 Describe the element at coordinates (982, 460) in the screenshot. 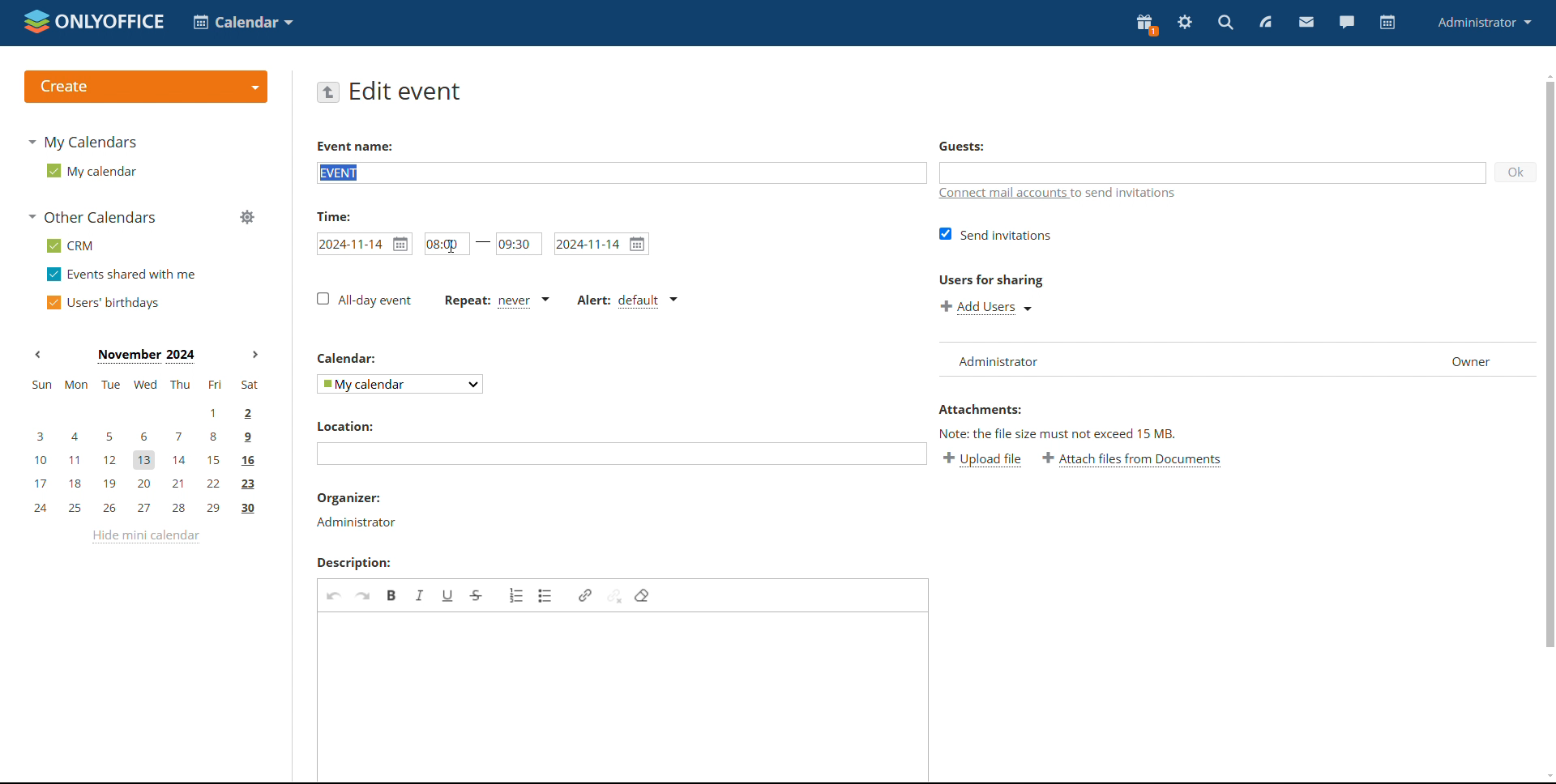

I see `upload file` at that location.